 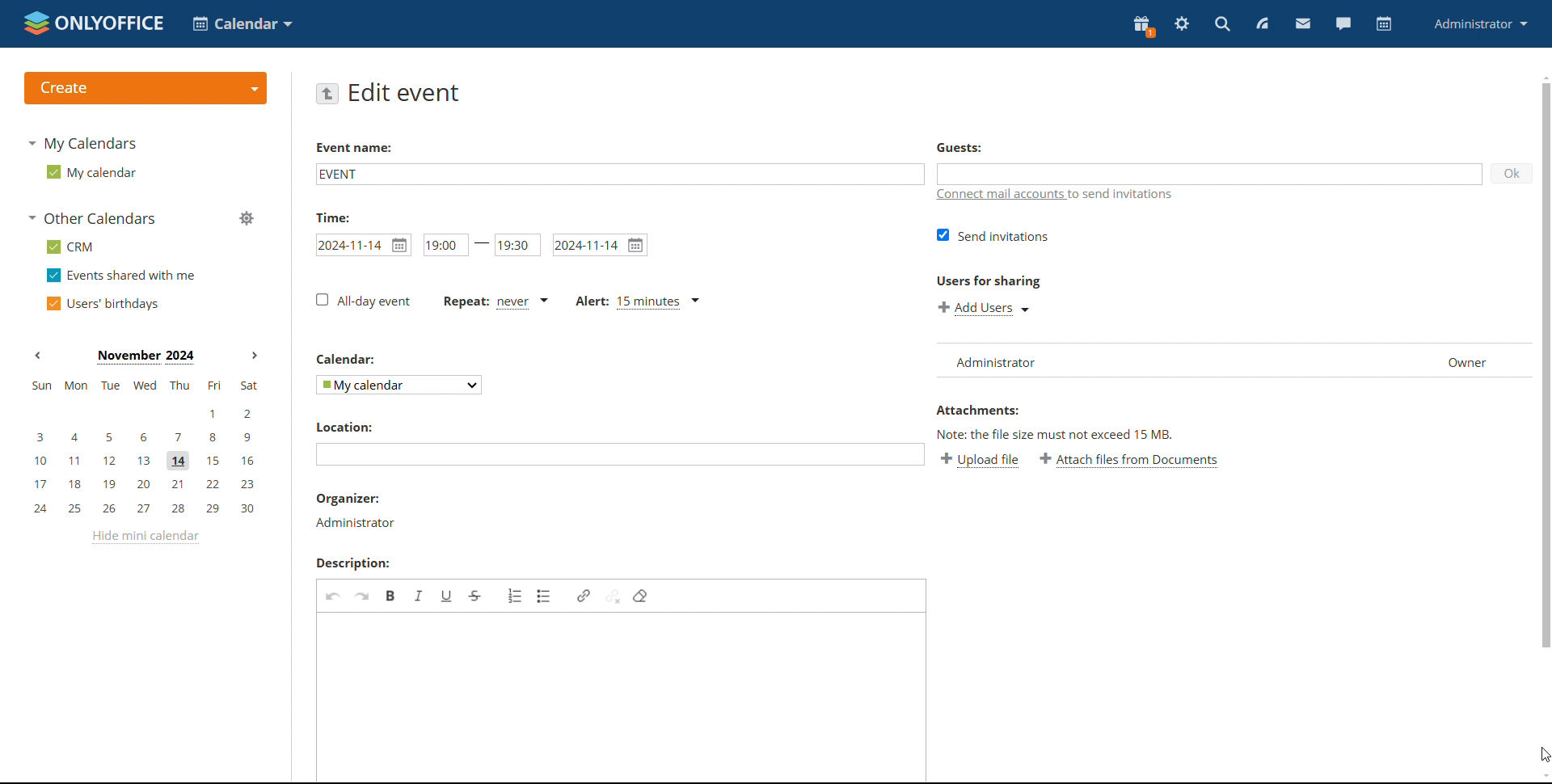 I want to click on mail, so click(x=1301, y=24).